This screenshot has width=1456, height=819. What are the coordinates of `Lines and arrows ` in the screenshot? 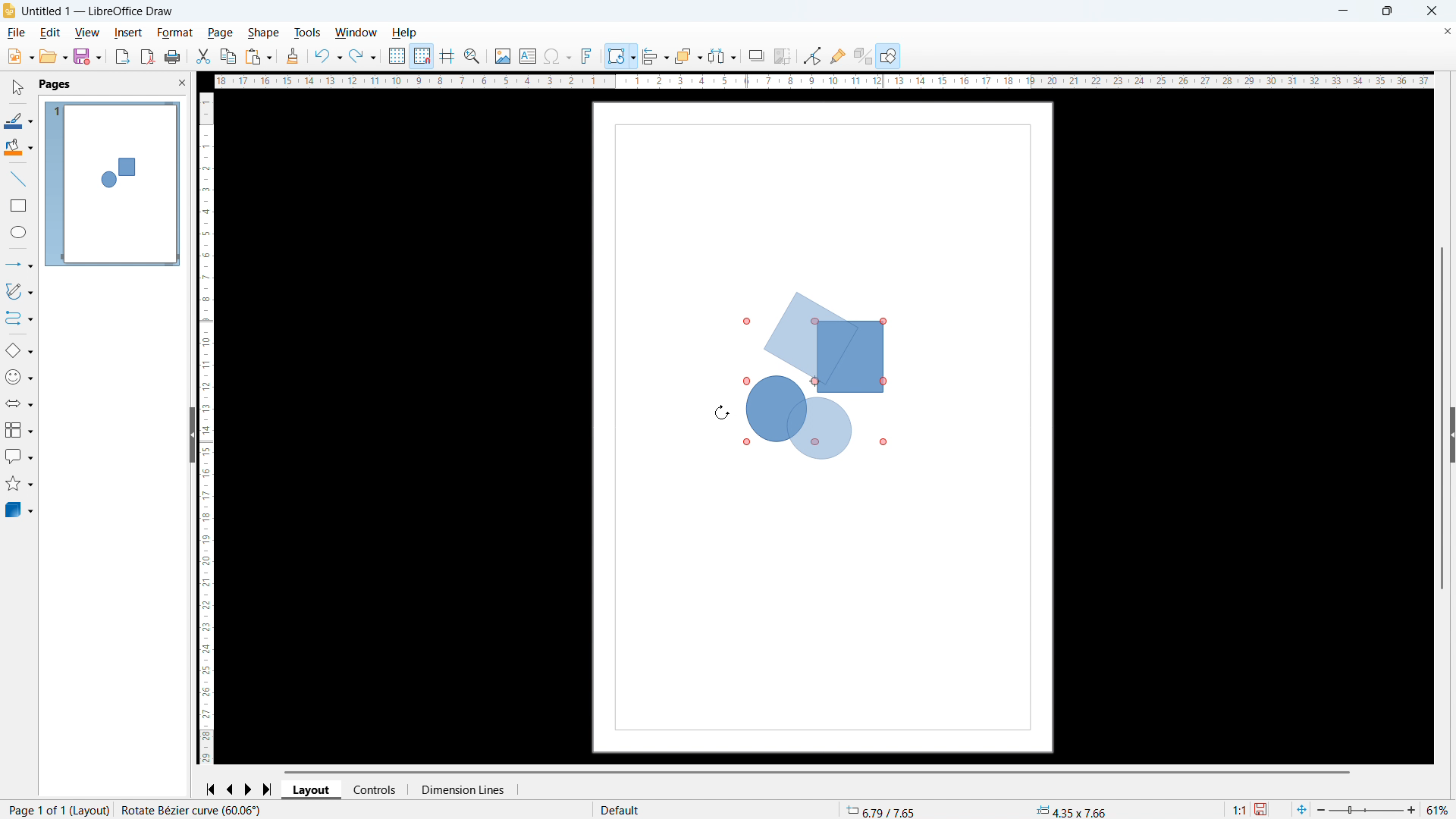 It's located at (22, 265).